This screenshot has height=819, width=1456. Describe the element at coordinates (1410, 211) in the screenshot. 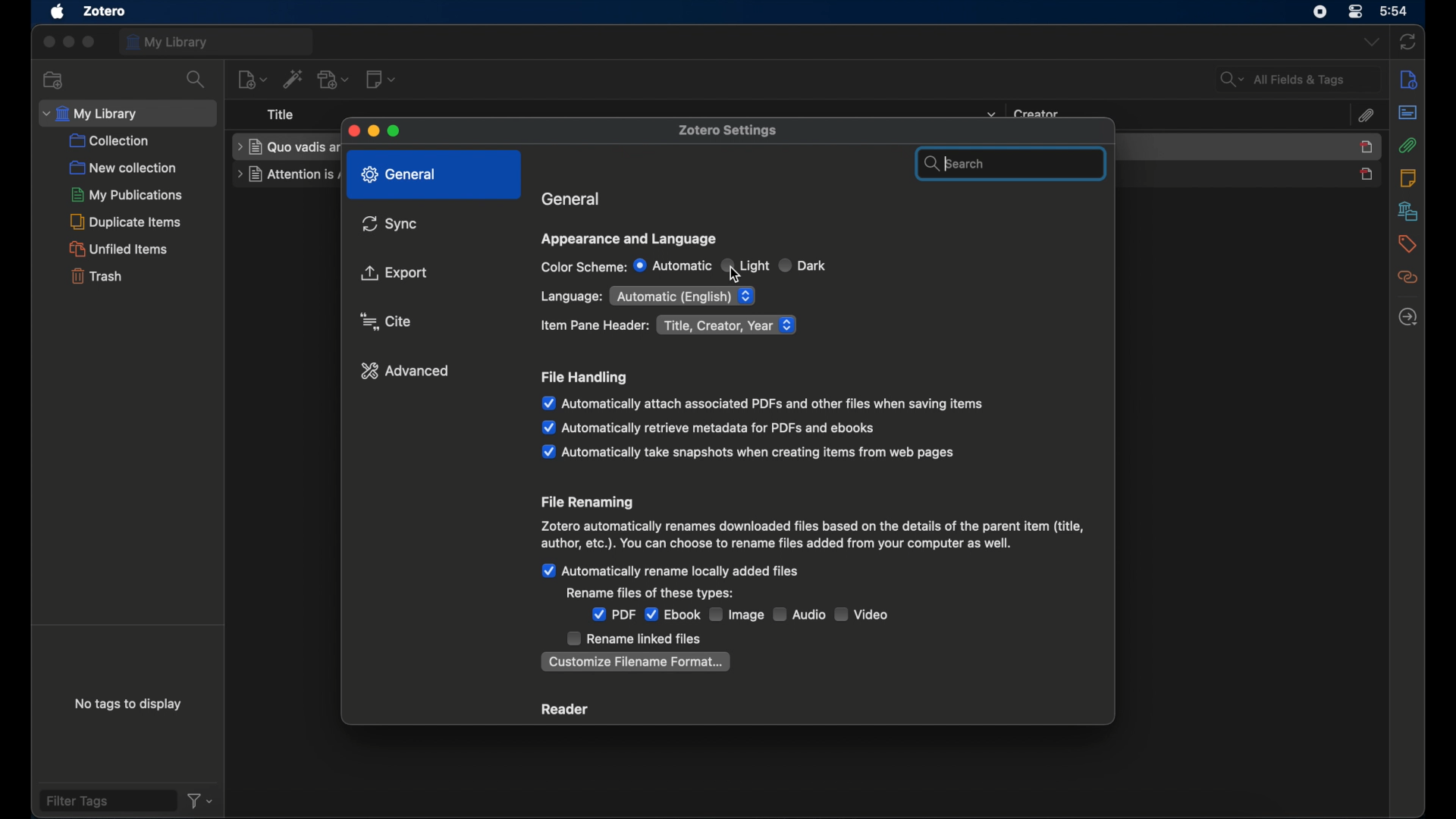

I see `libraries and collections` at that location.